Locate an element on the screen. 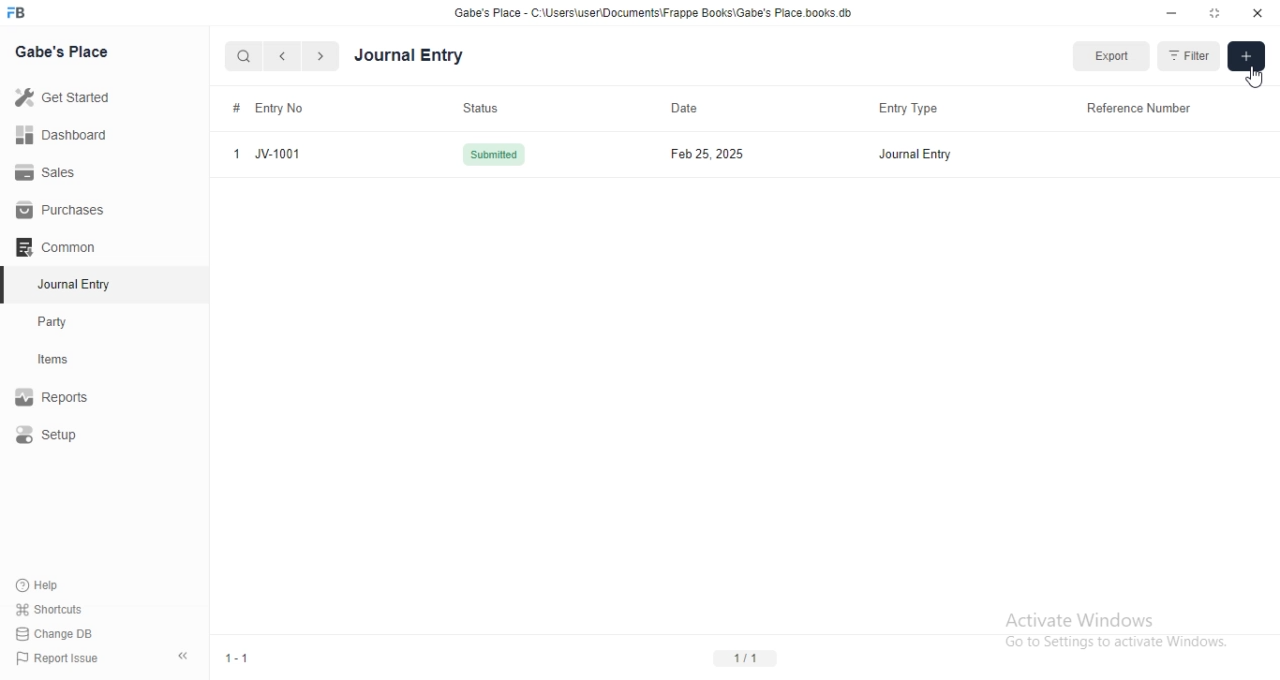 The width and height of the screenshot is (1280, 680). Add is located at coordinates (1248, 57).